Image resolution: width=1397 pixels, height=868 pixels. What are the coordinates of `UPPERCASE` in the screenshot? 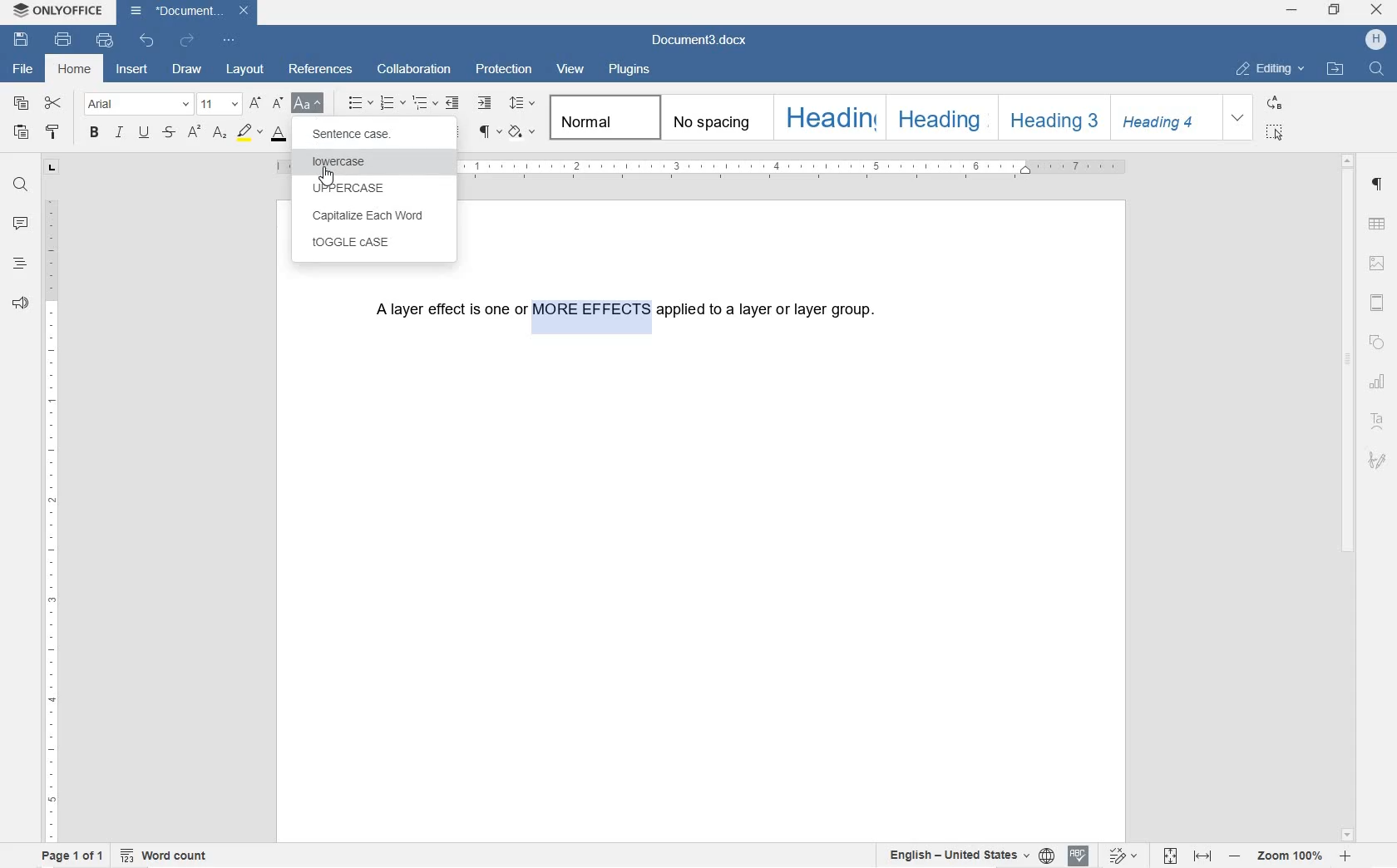 It's located at (374, 186).